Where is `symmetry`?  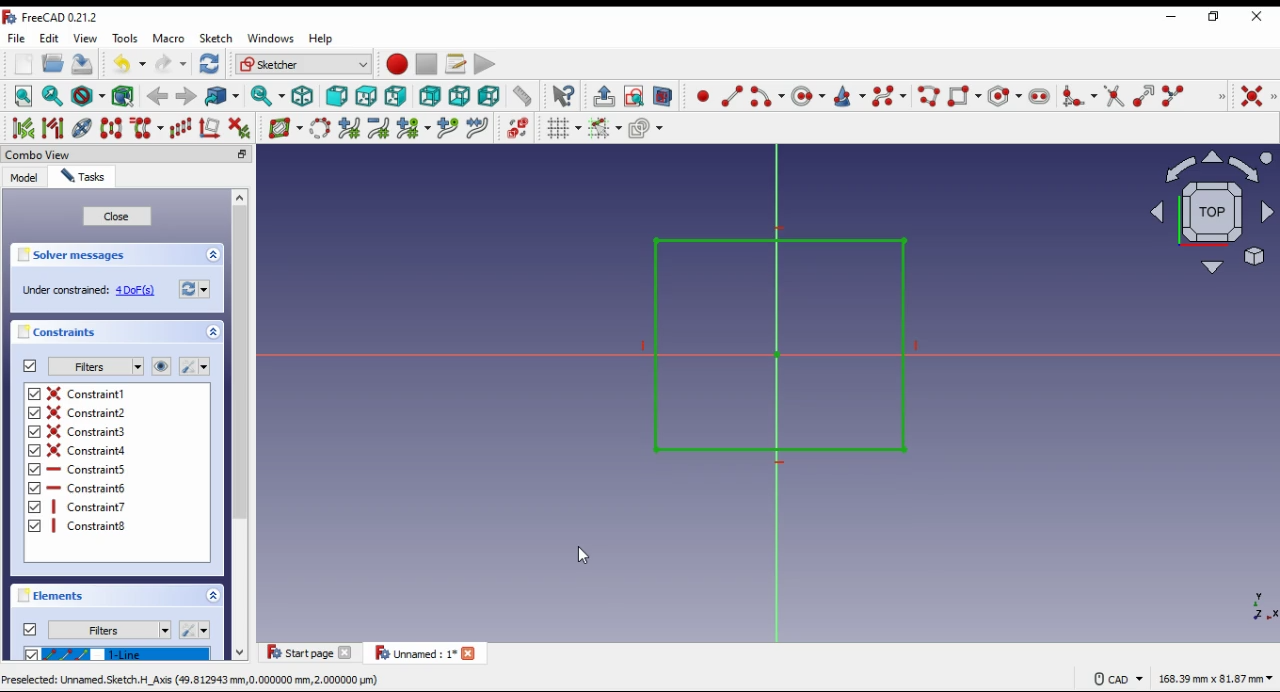 symmetry is located at coordinates (113, 129).